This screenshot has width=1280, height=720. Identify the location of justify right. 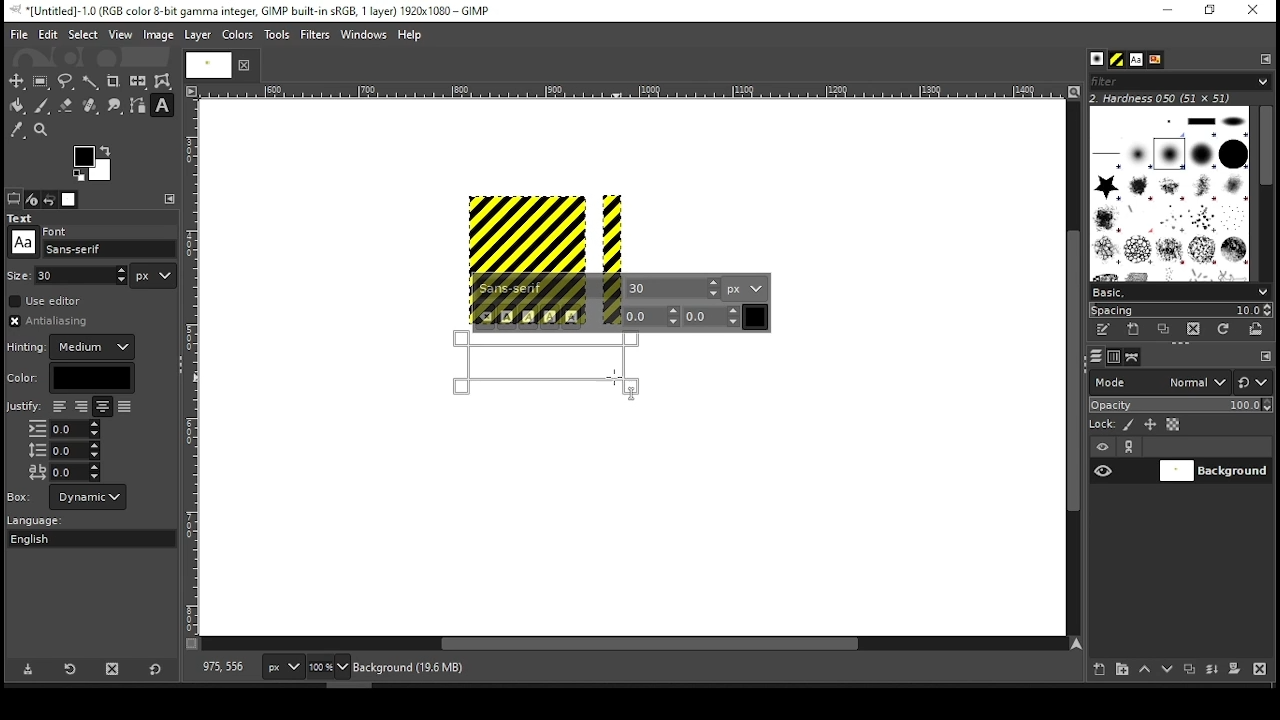
(80, 408).